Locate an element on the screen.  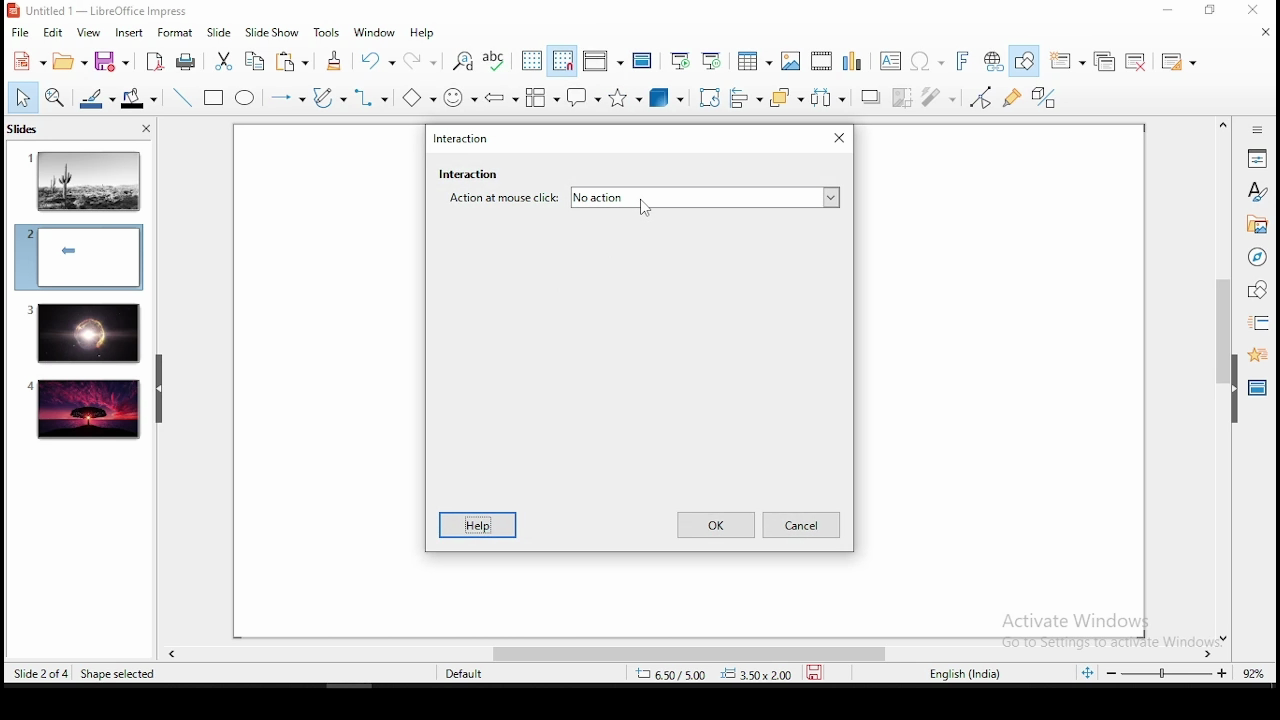
paste is located at coordinates (295, 61).